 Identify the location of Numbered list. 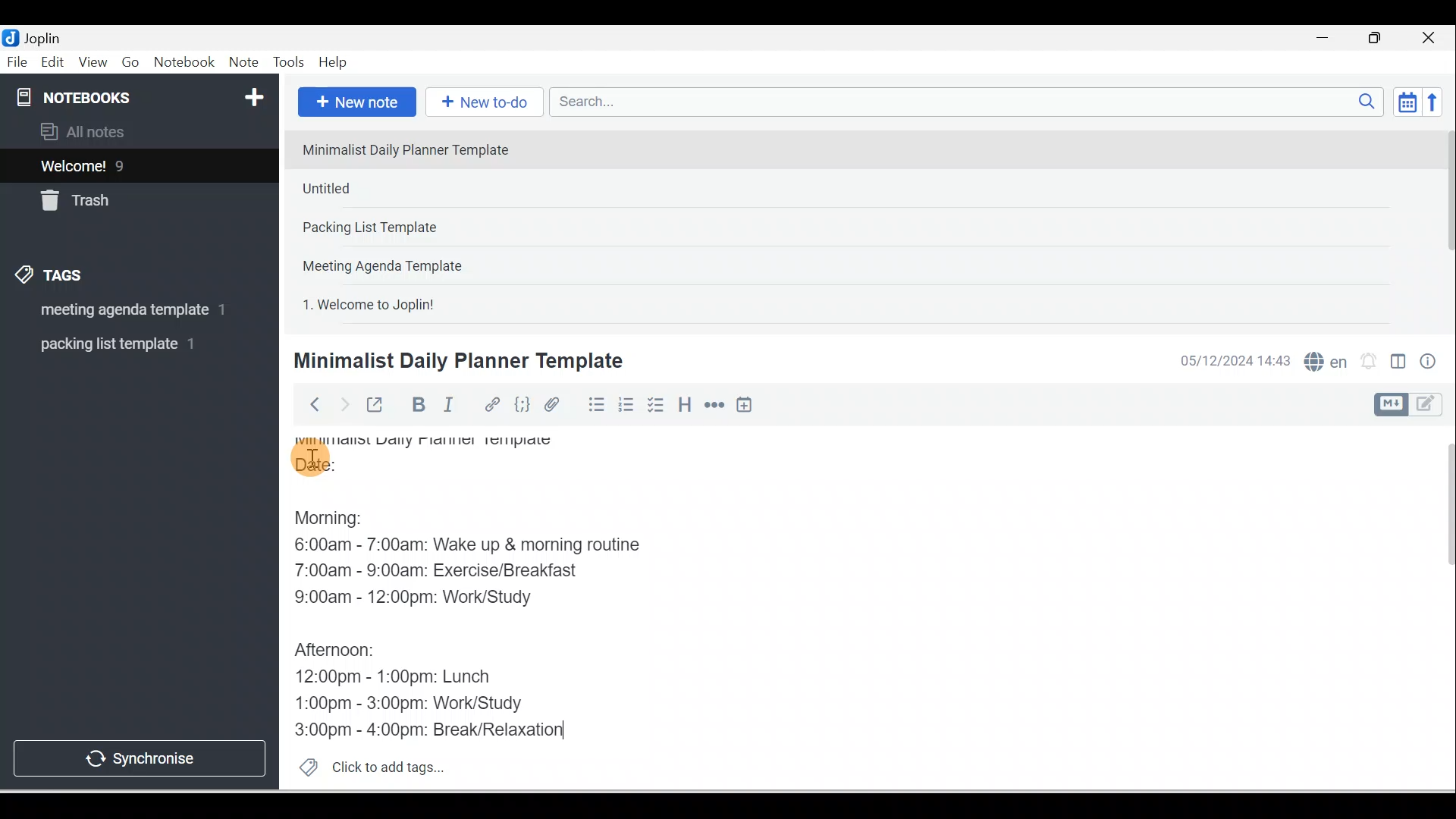
(626, 404).